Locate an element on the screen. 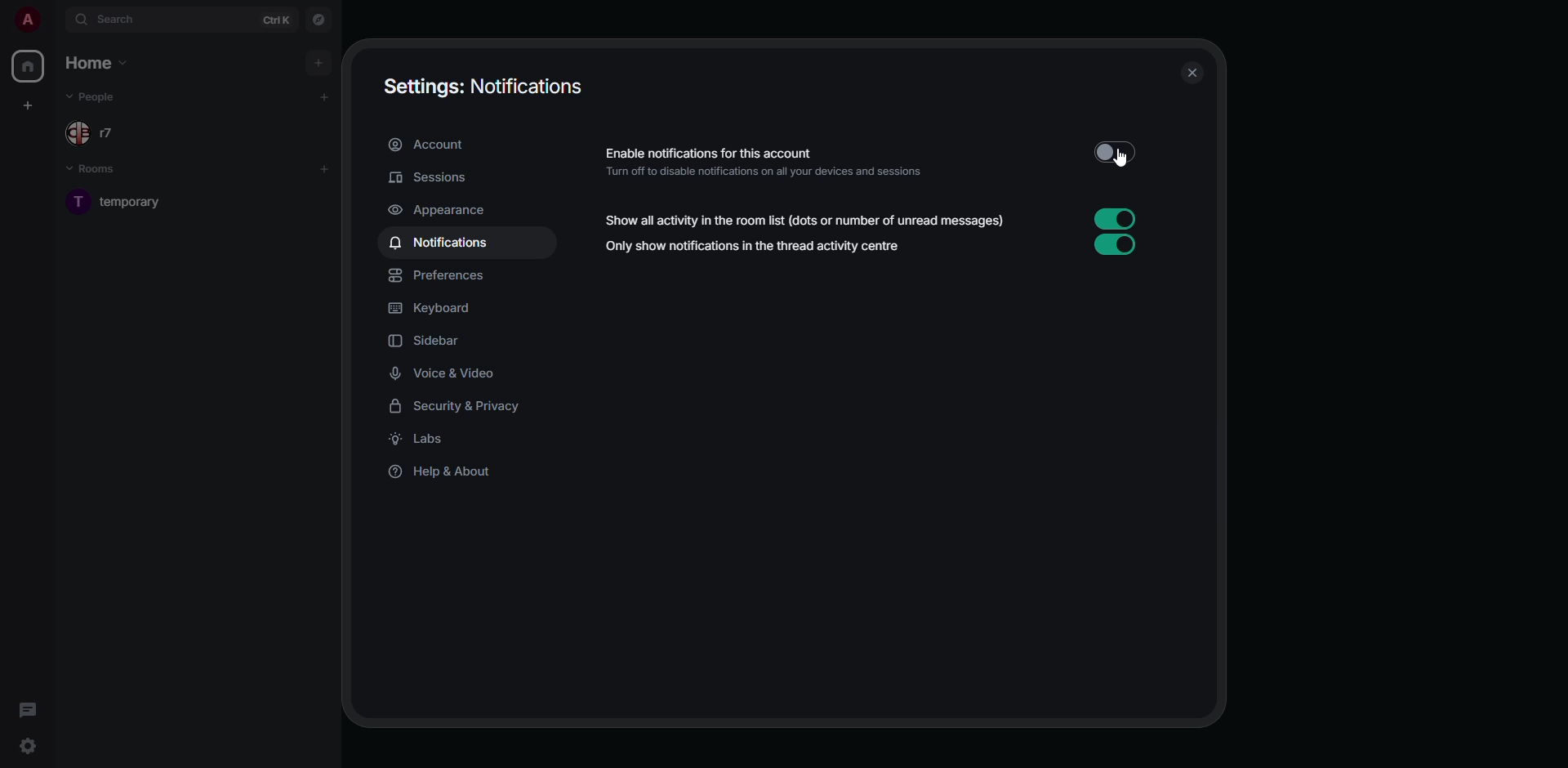 The image size is (1568, 768). appearance is located at coordinates (439, 209).